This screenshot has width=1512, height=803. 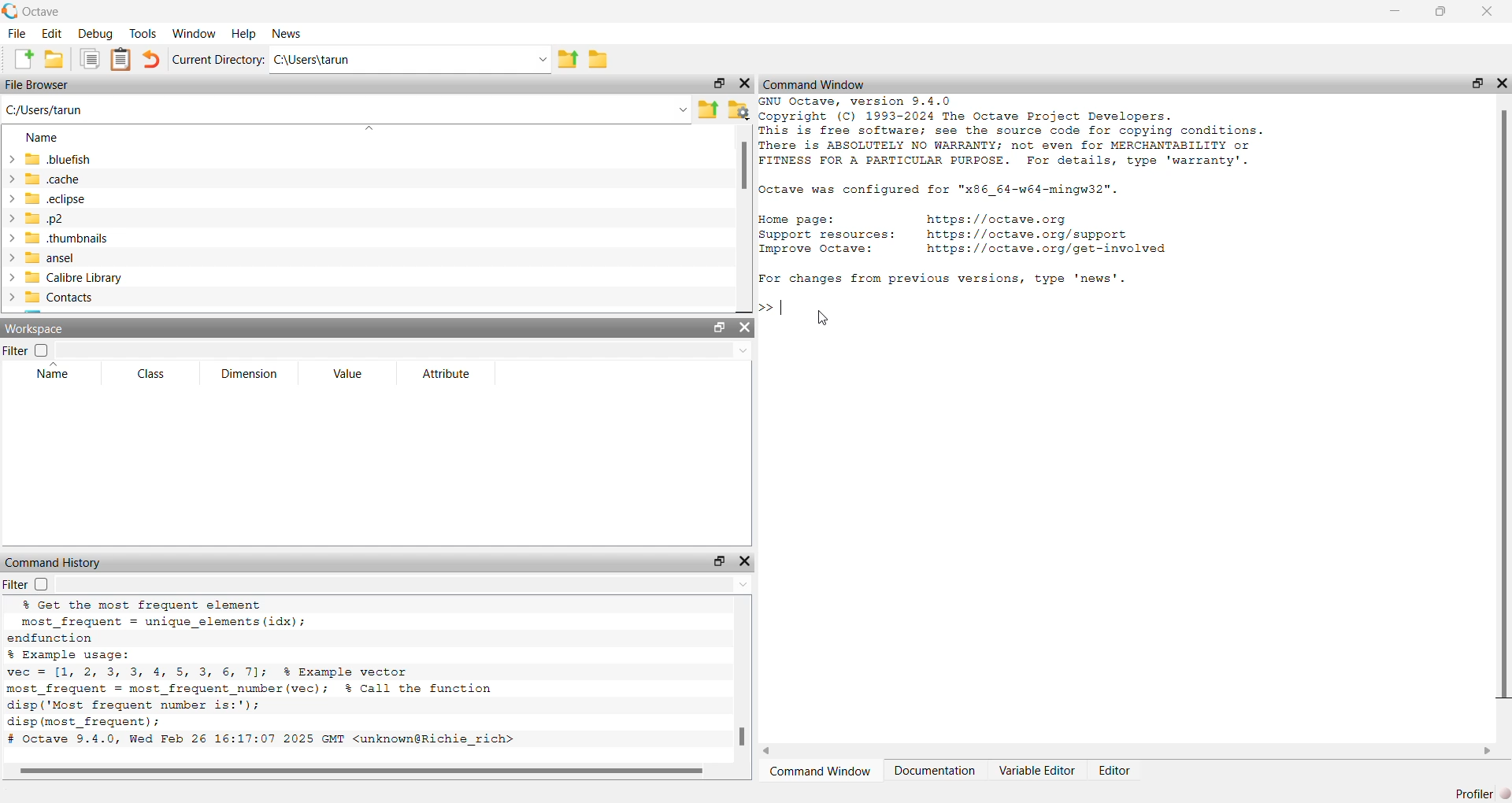 I want to click on Name, so click(x=44, y=137).